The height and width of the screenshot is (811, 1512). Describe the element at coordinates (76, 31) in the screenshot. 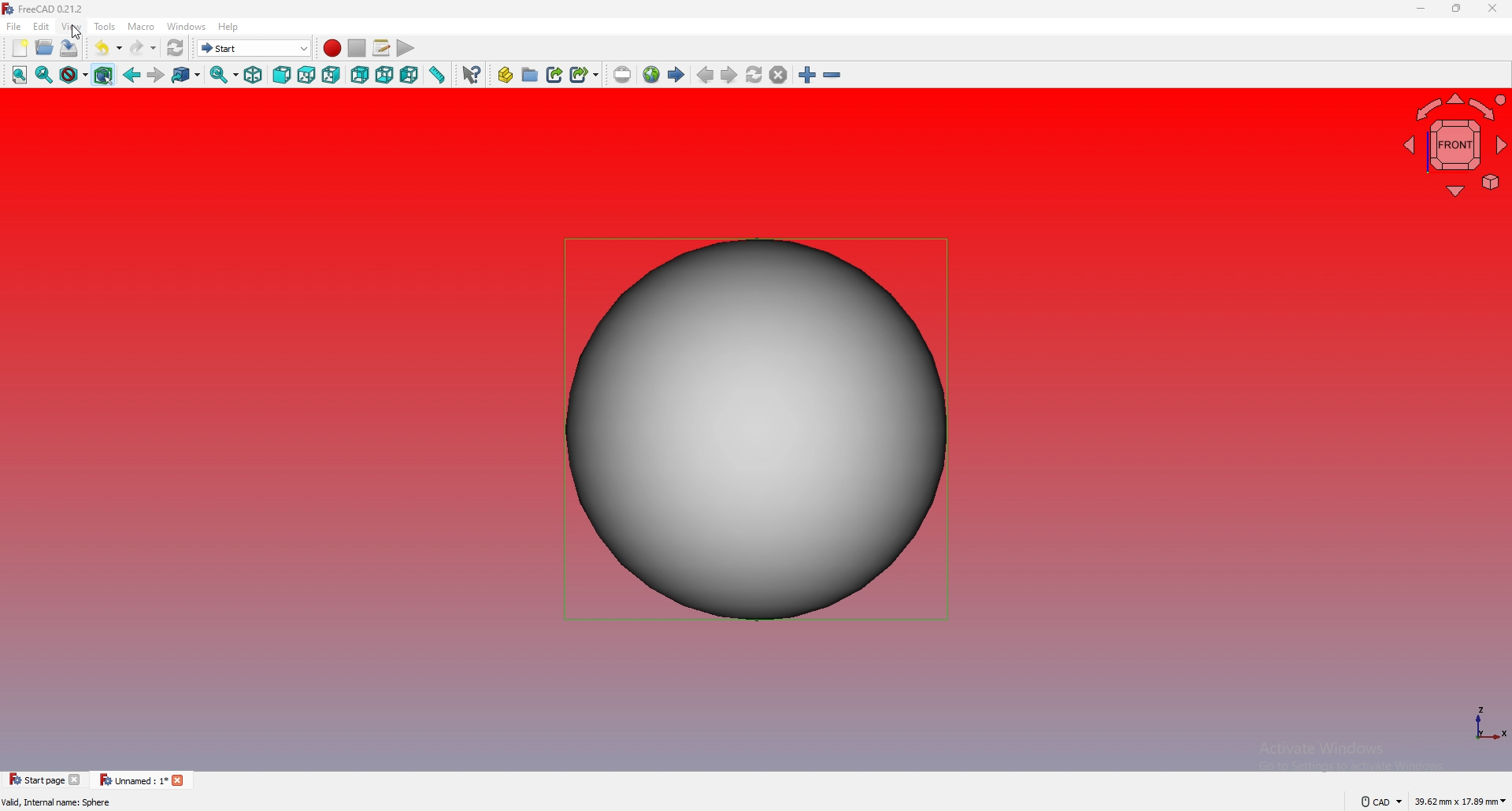

I see `cursor` at that location.